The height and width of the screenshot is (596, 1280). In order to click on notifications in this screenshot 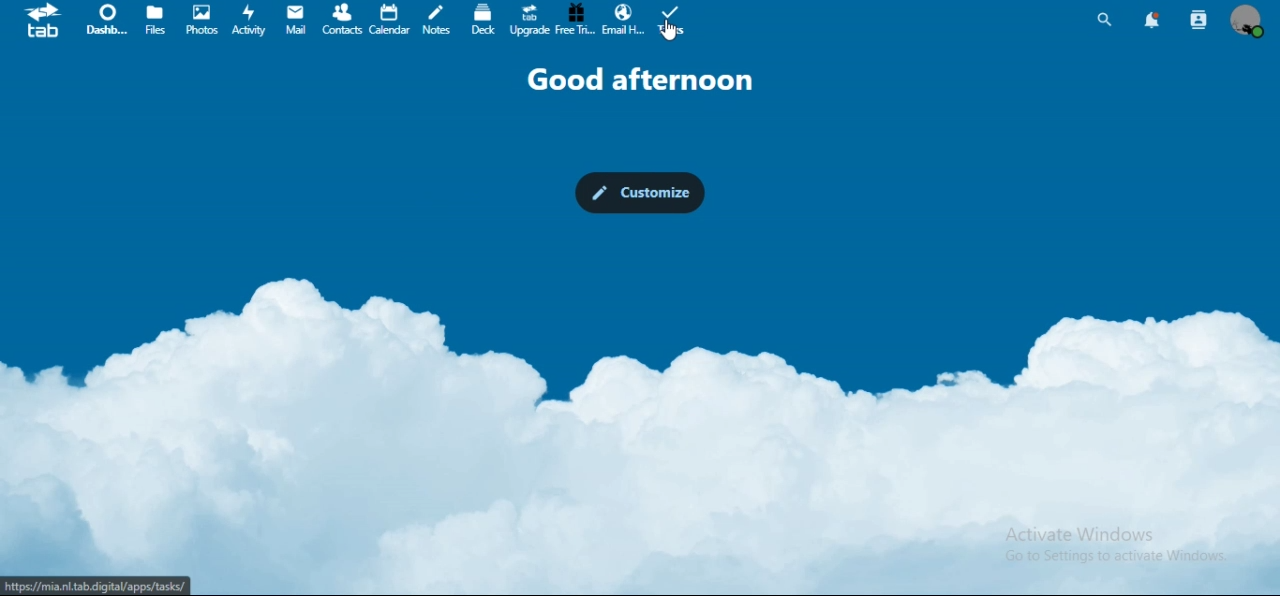, I will do `click(1150, 21)`.